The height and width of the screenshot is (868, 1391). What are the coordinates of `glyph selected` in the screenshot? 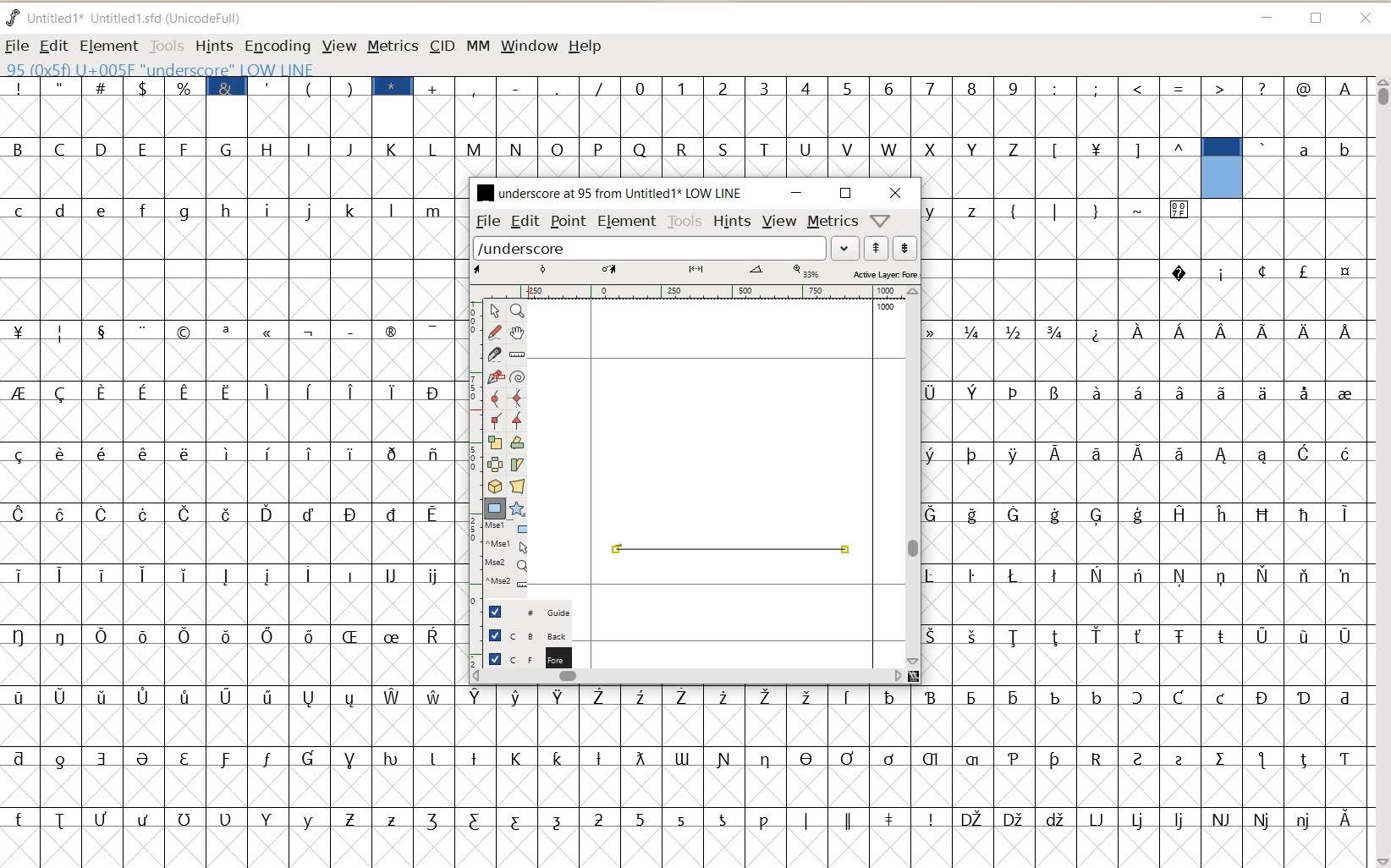 It's located at (1222, 168).